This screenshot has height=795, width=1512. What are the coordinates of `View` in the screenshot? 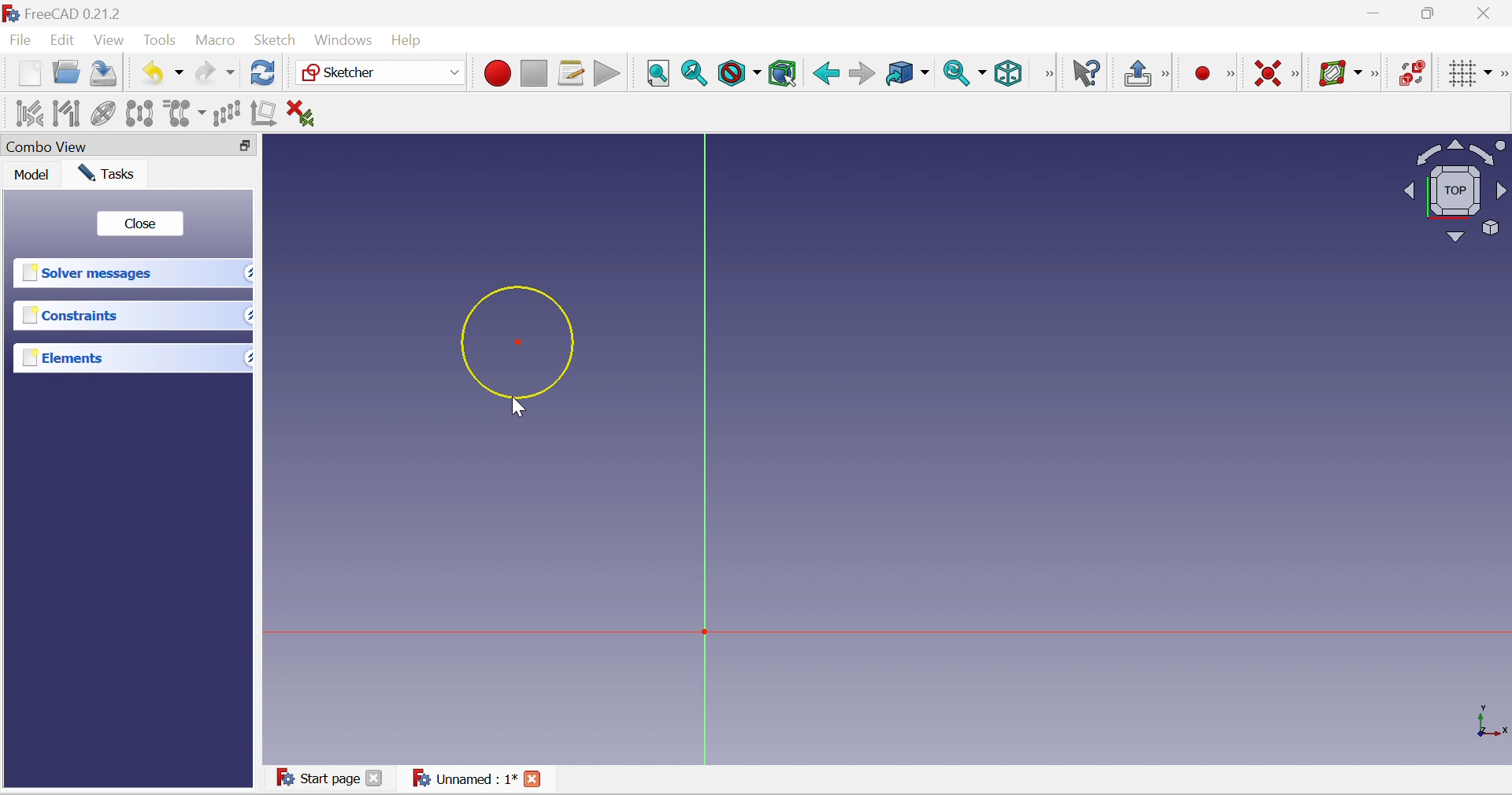 It's located at (1047, 73).